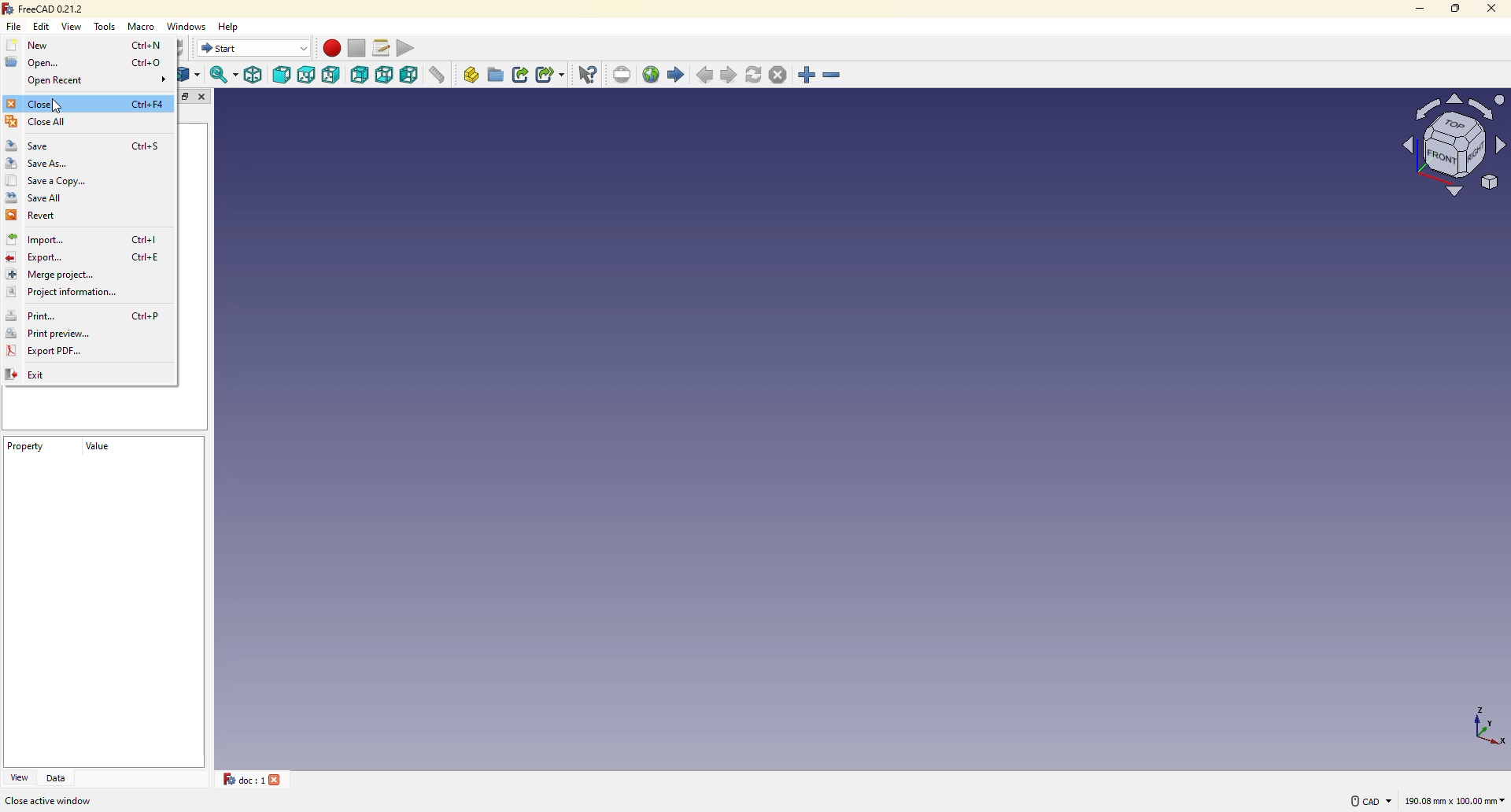 This screenshot has height=812, width=1511. What do you see at coordinates (161, 79) in the screenshot?
I see `expand icon` at bounding box center [161, 79].